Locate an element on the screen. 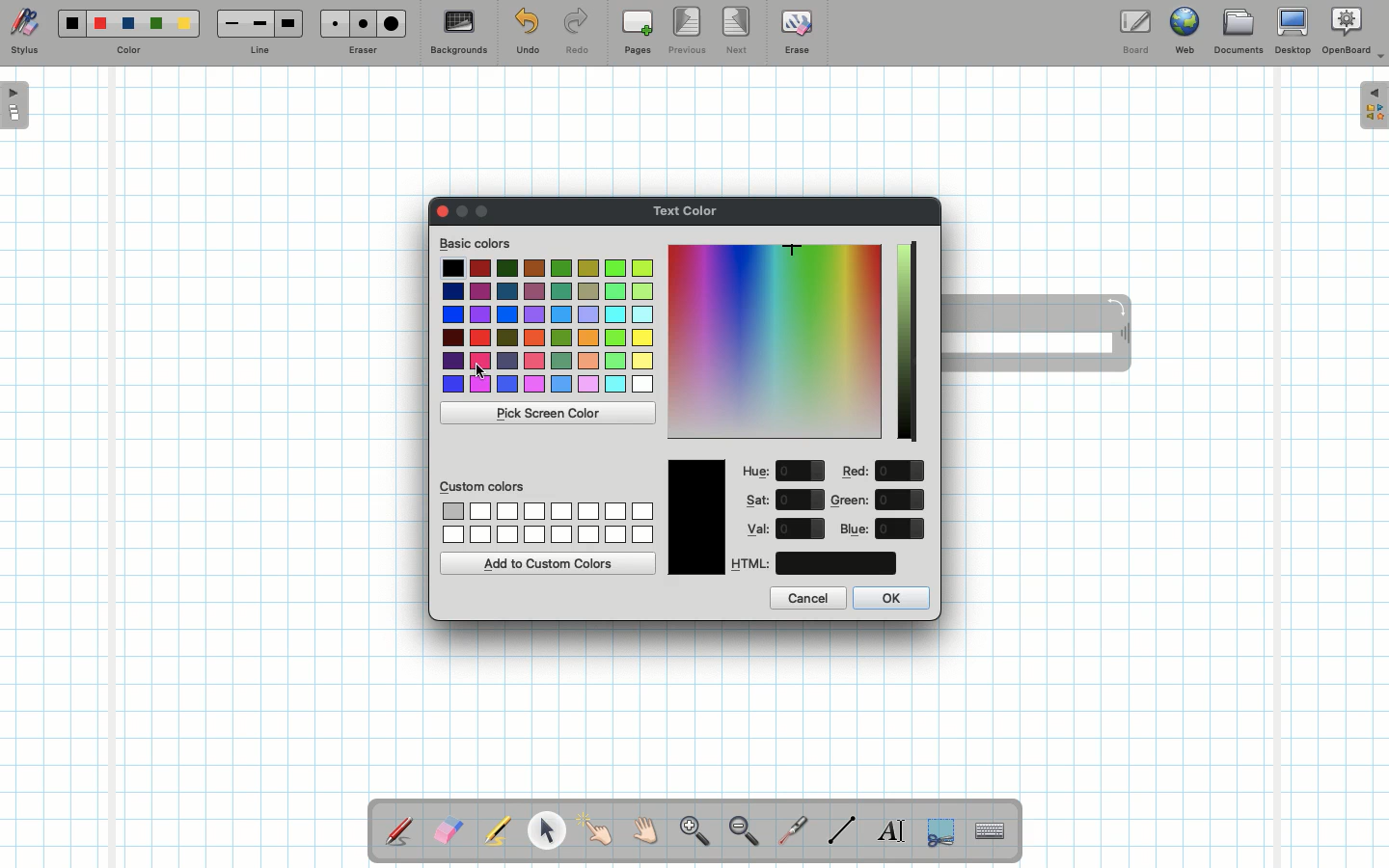 The width and height of the screenshot is (1389, 868). Green is located at coordinates (156, 25).